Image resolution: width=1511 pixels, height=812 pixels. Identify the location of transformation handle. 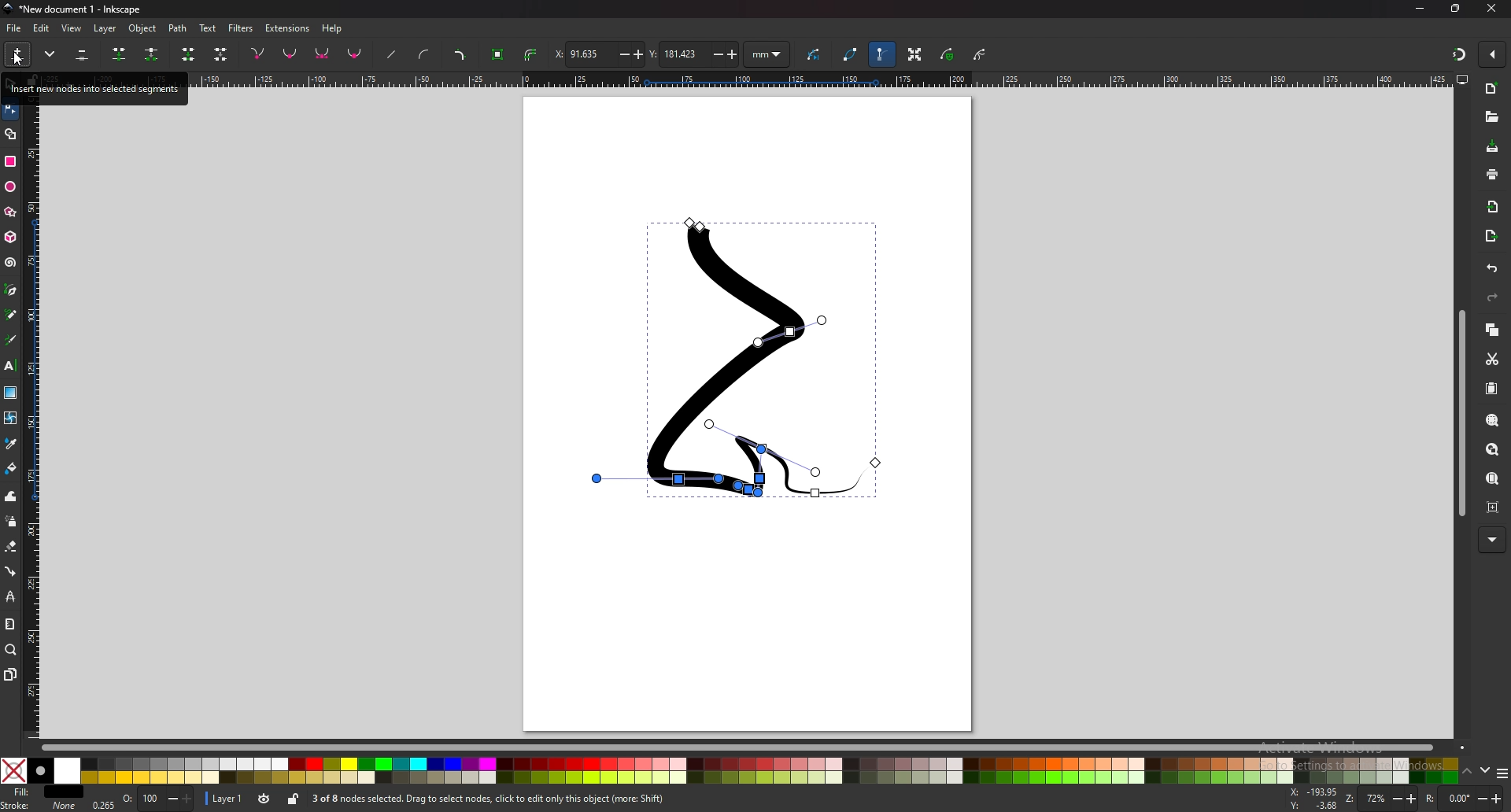
(914, 56).